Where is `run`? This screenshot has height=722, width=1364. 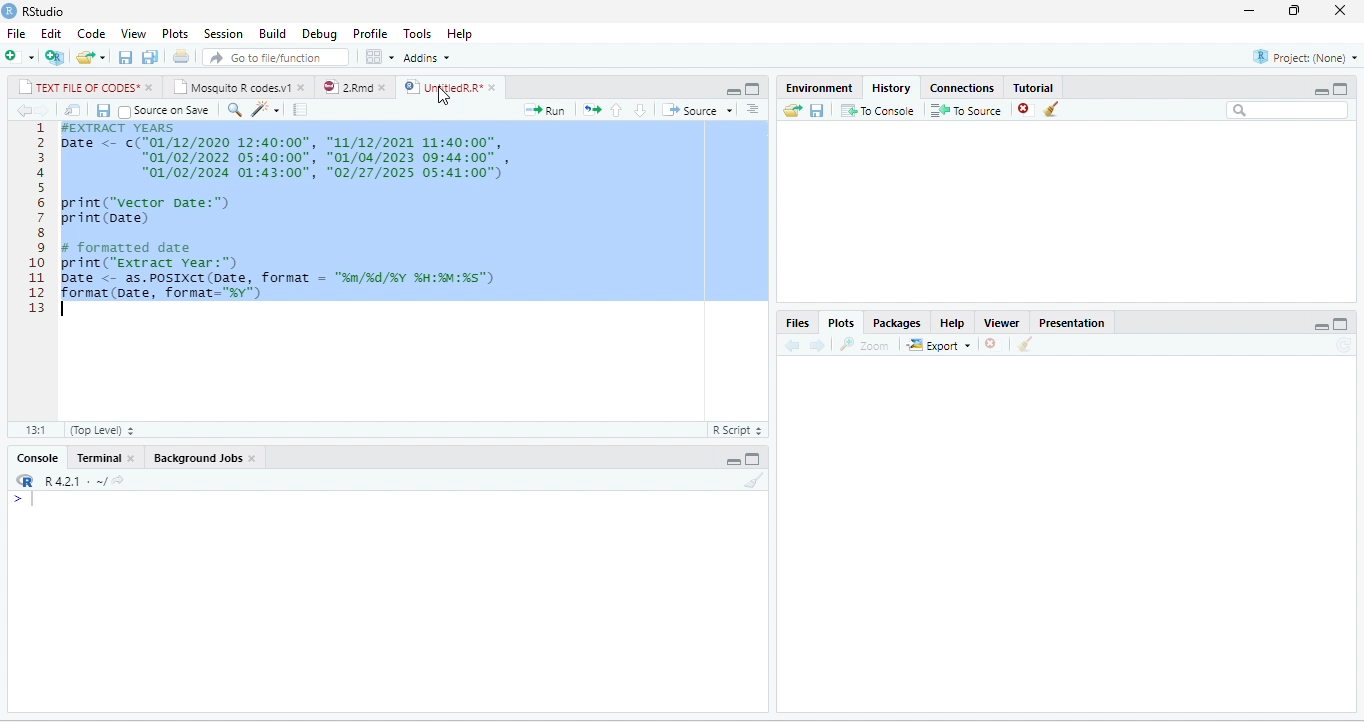
run is located at coordinates (546, 110).